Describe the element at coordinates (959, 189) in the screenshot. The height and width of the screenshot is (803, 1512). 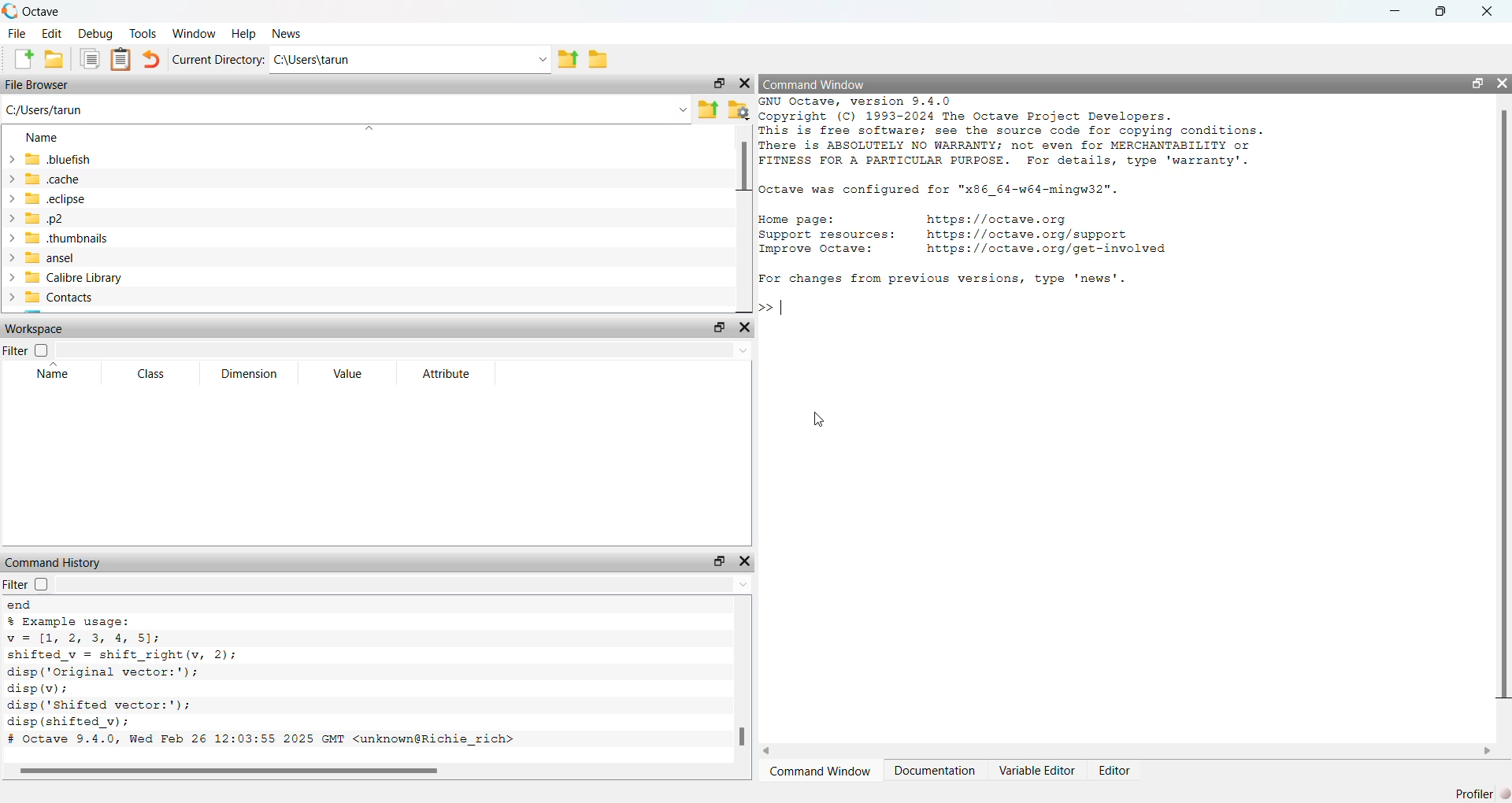
I see `detail of octave configuration` at that location.